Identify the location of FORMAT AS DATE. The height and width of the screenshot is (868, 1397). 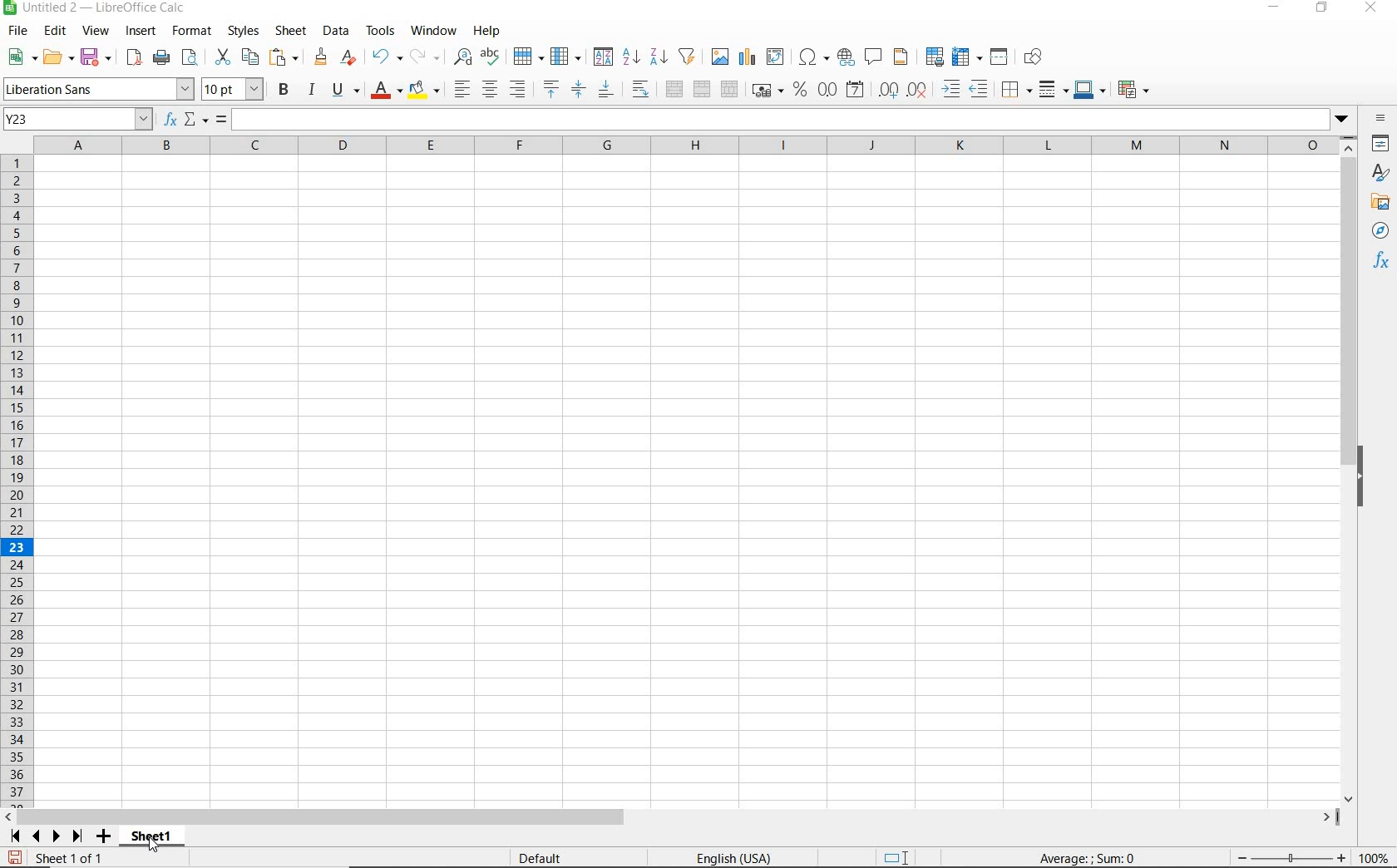
(854, 90).